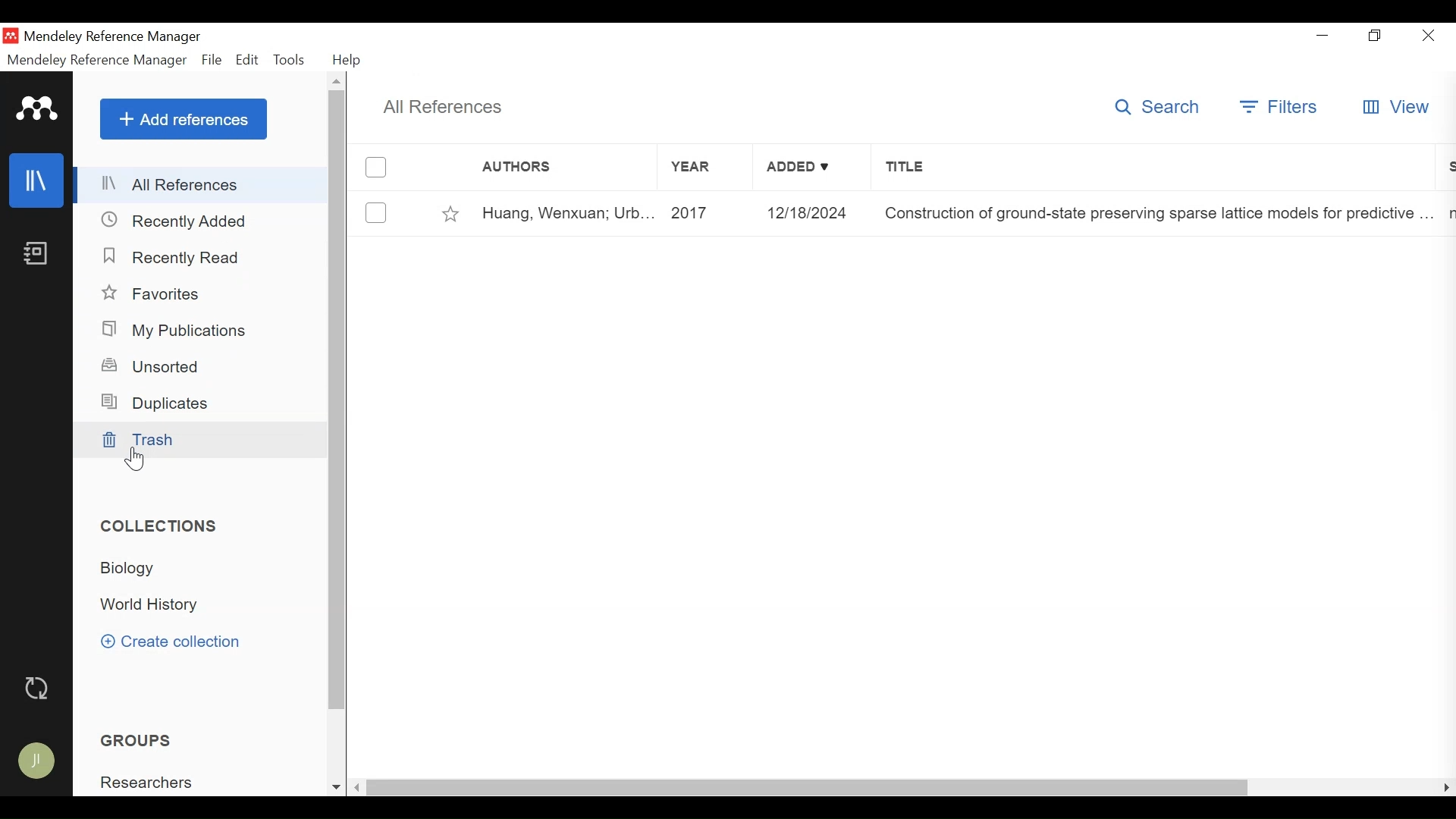 The height and width of the screenshot is (819, 1456). What do you see at coordinates (704, 169) in the screenshot?
I see `Year` at bounding box center [704, 169].